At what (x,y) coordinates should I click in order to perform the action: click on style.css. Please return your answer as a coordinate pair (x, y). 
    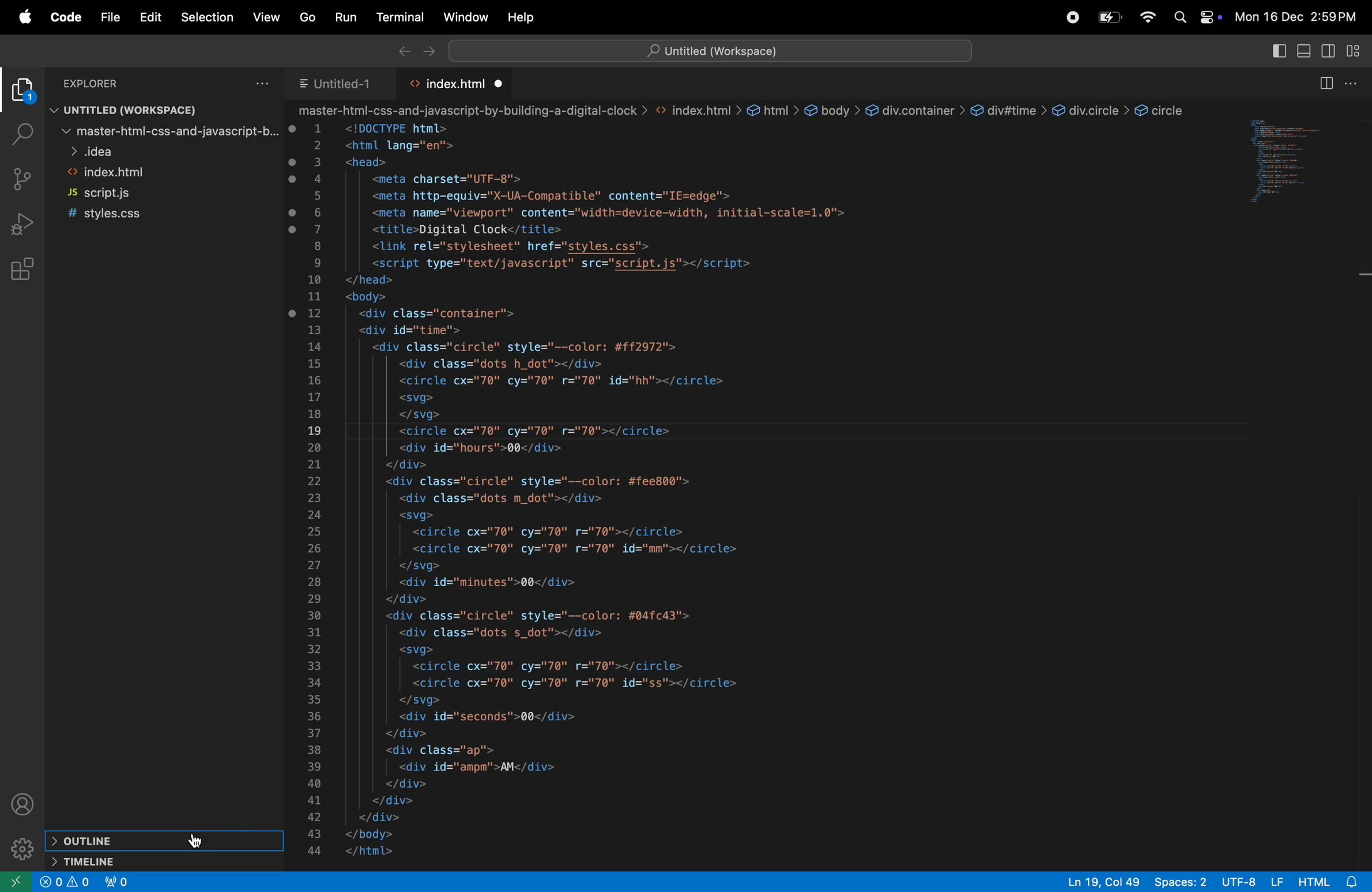
    Looking at the image, I should click on (120, 215).